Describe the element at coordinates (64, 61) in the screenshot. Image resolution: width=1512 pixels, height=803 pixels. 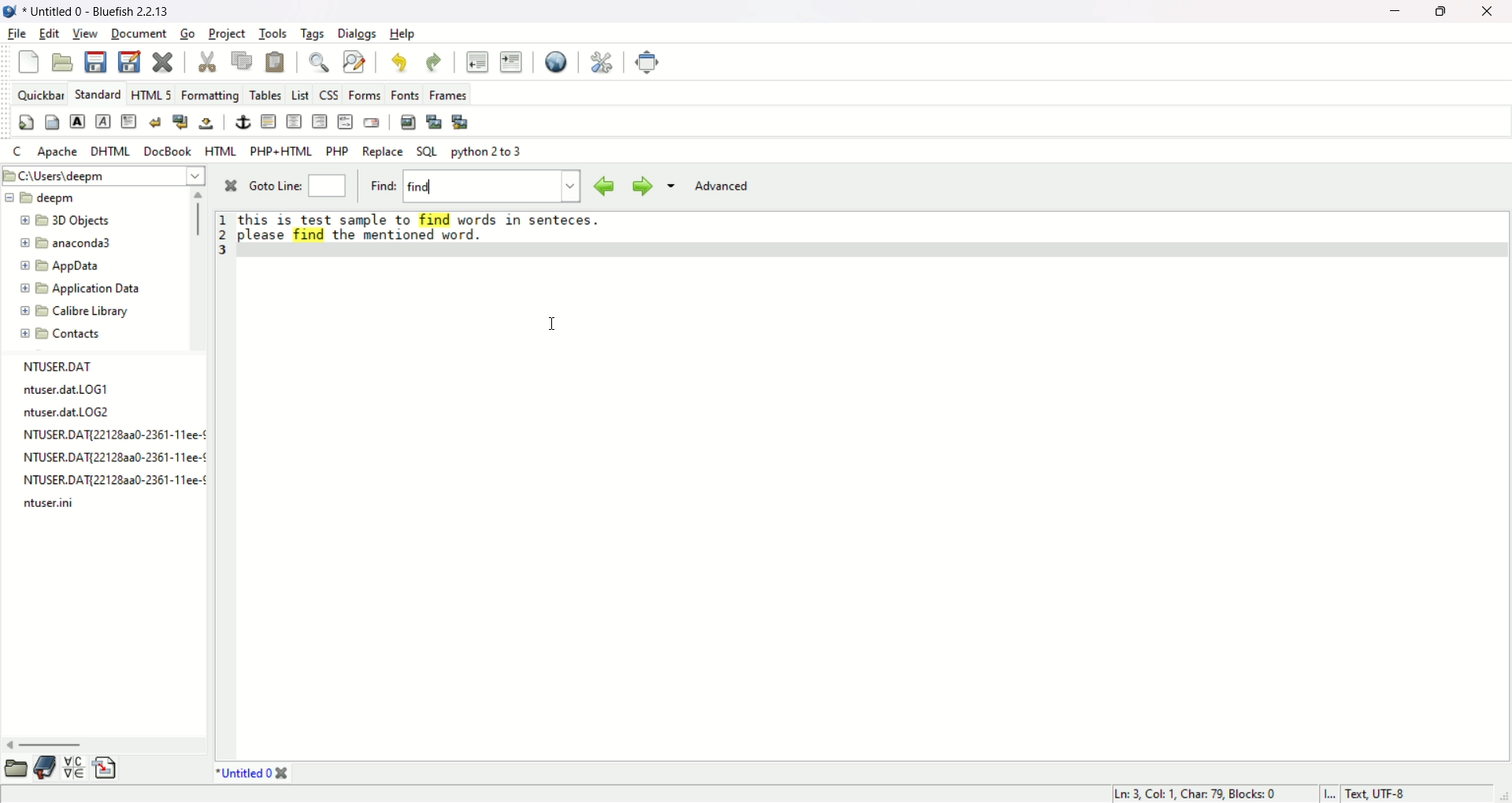
I see `open` at that location.